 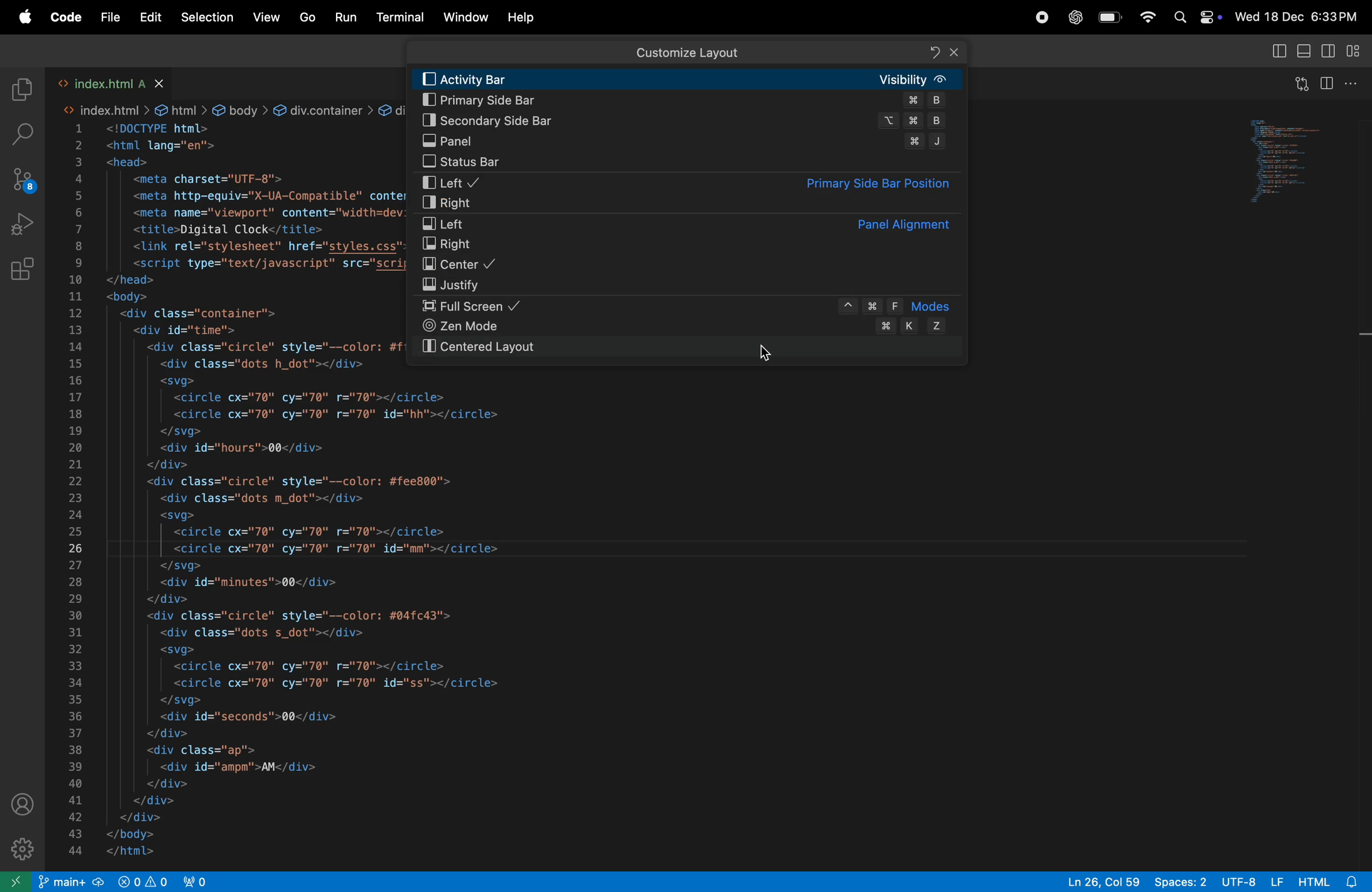 What do you see at coordinates (203, 17) in the screenshot?
I see `selections` at bounding box center [203, 17].